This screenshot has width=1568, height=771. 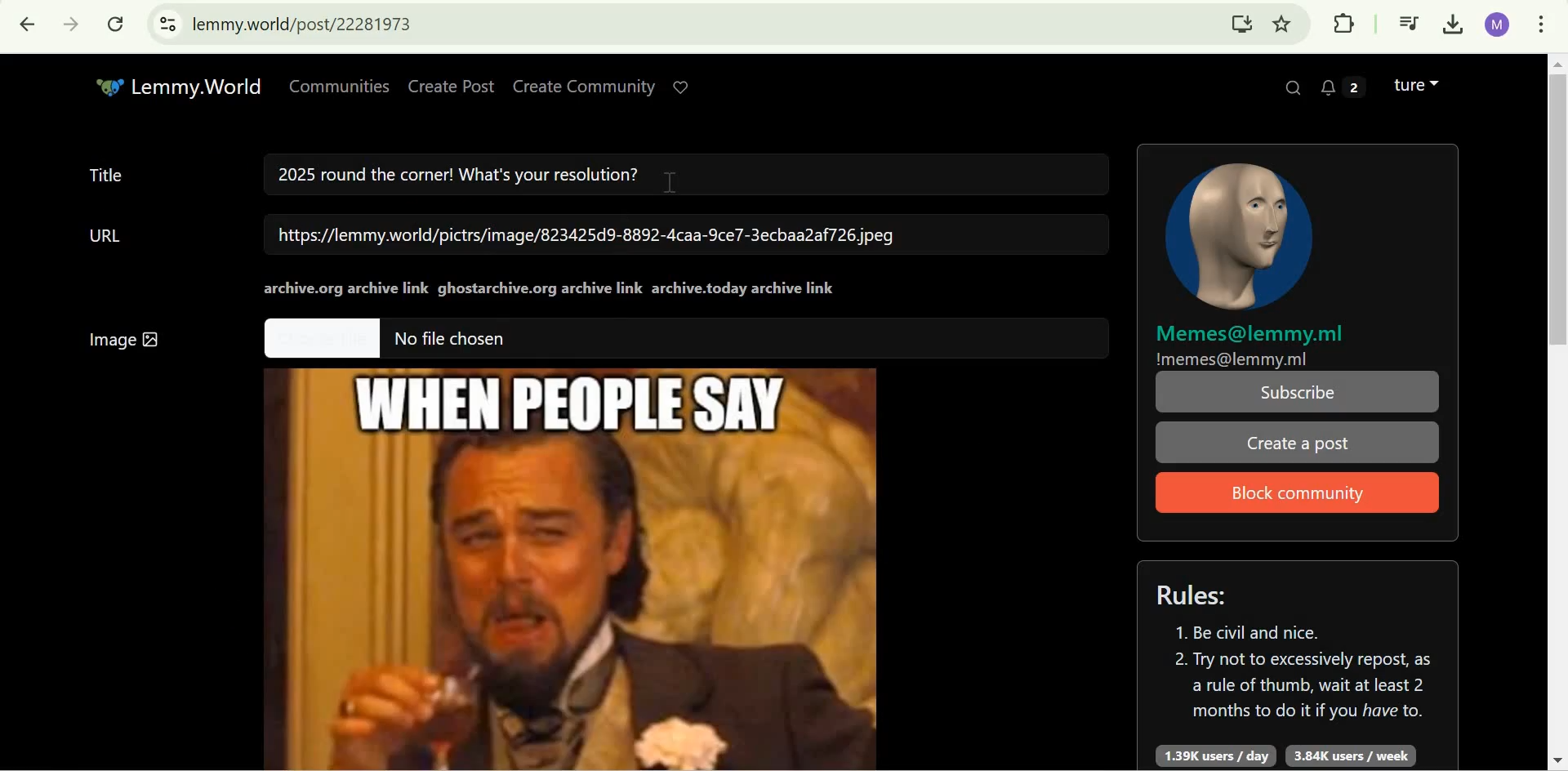 I want to click on Install Lemmy.World, so click(x=1243, y=23).